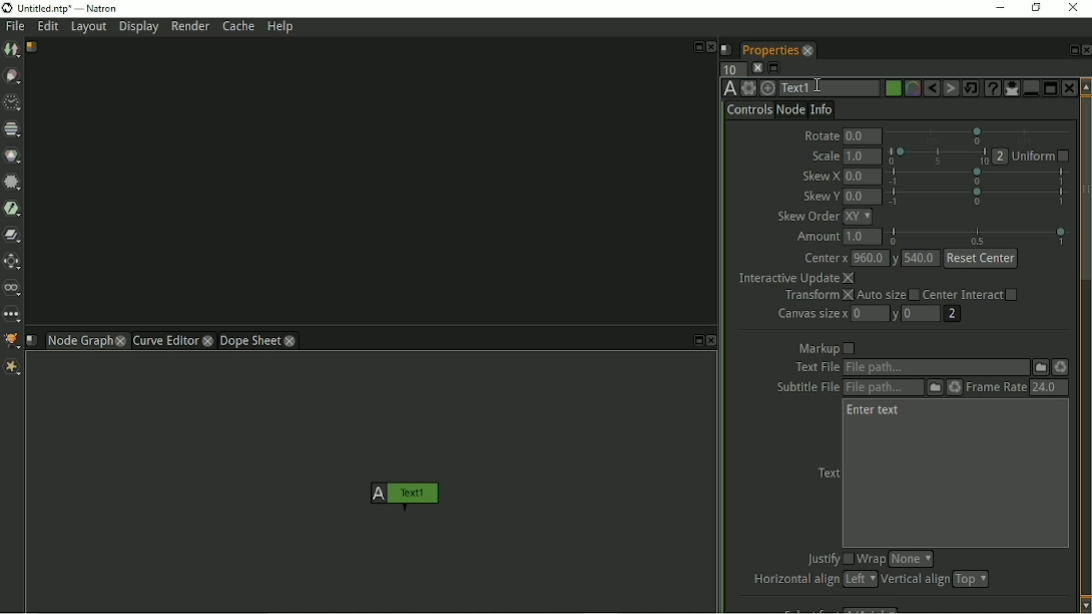 The width and height of the screenshot is (1092, 614). Describe the element at coordinates (748, 88) in the screenshot. I see `Settings and presets` at that location.